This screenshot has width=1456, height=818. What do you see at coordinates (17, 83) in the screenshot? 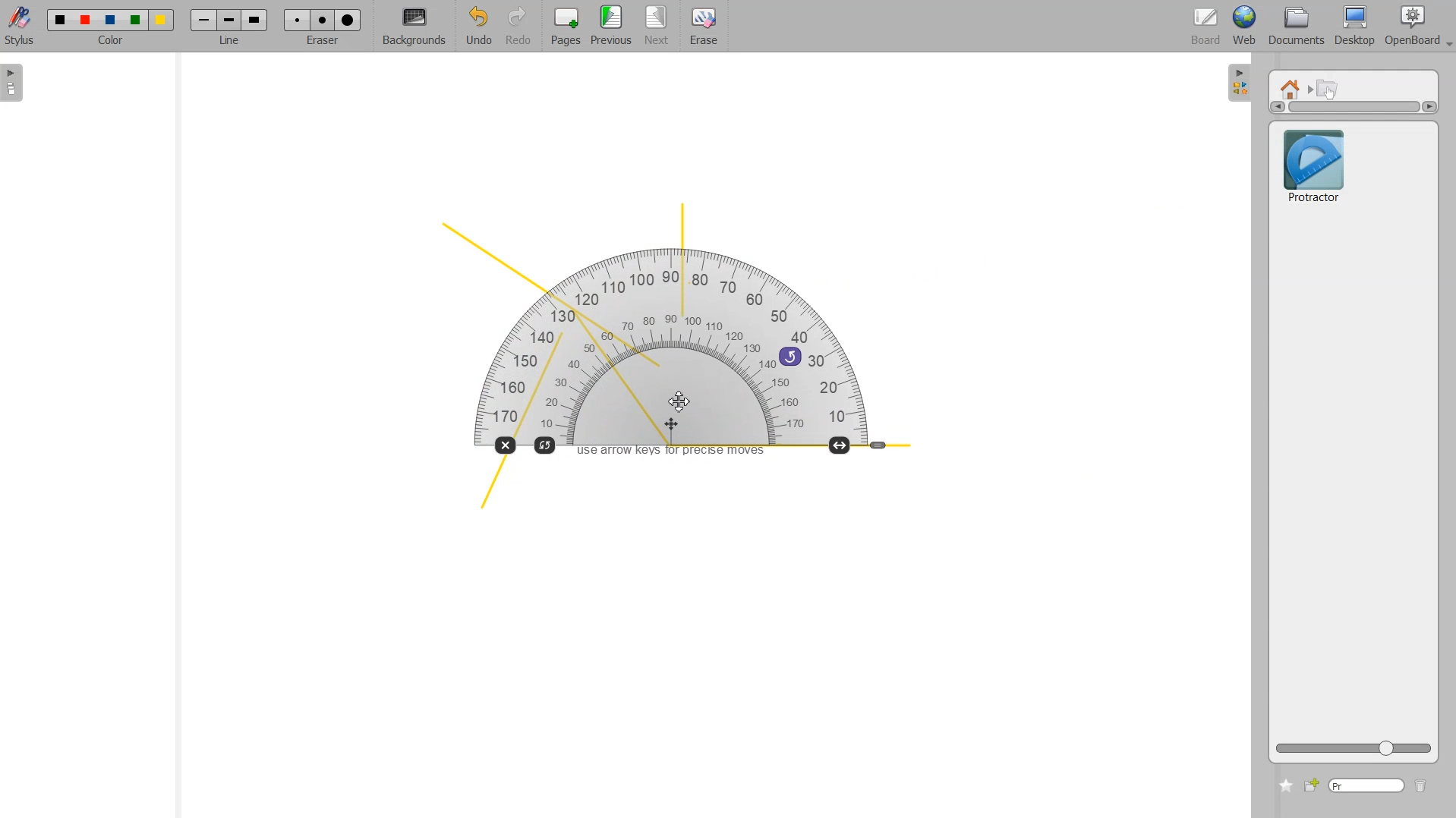
I see `Sidebar` at bounding box center [17, 83].